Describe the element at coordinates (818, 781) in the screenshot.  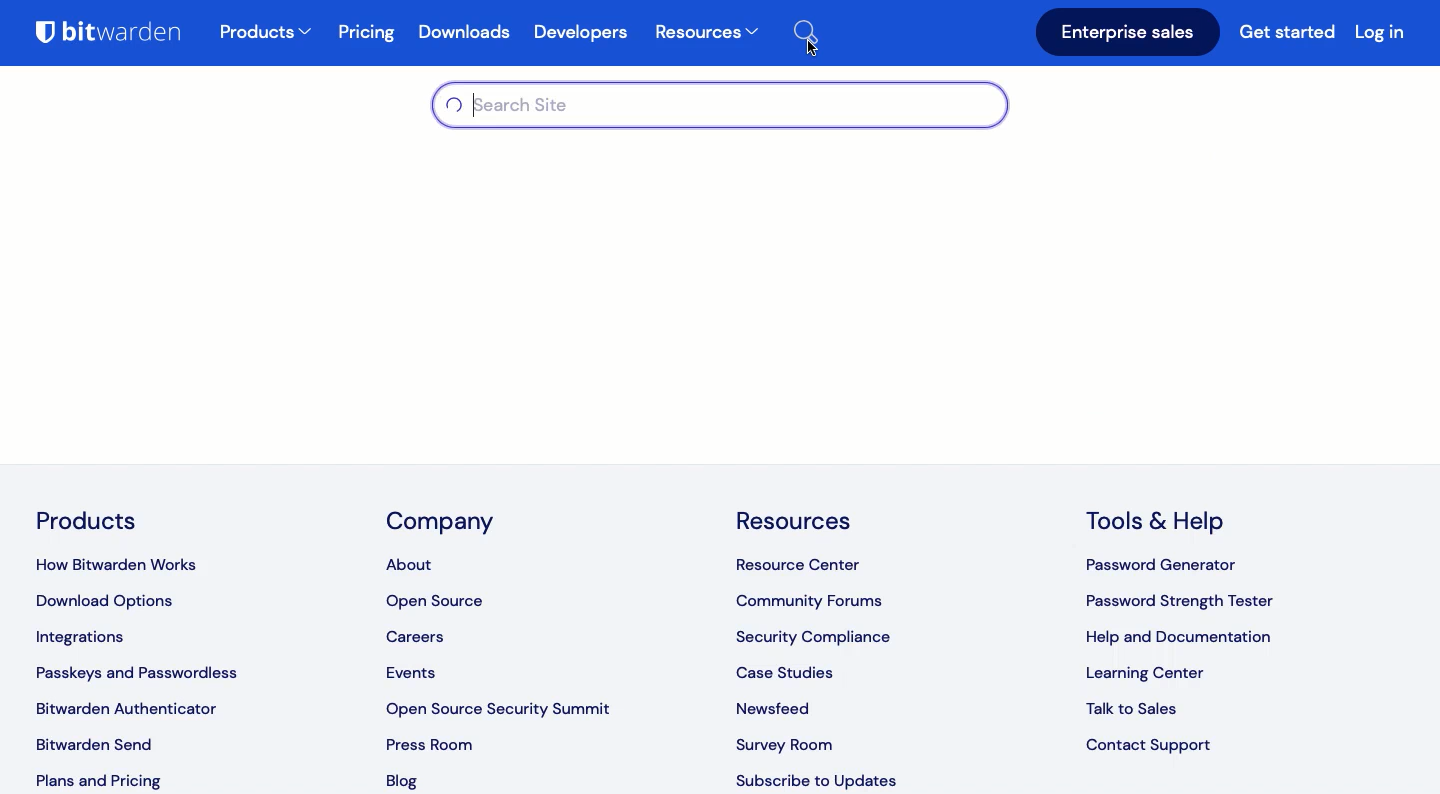
I see `subscribe to updates` at that location.